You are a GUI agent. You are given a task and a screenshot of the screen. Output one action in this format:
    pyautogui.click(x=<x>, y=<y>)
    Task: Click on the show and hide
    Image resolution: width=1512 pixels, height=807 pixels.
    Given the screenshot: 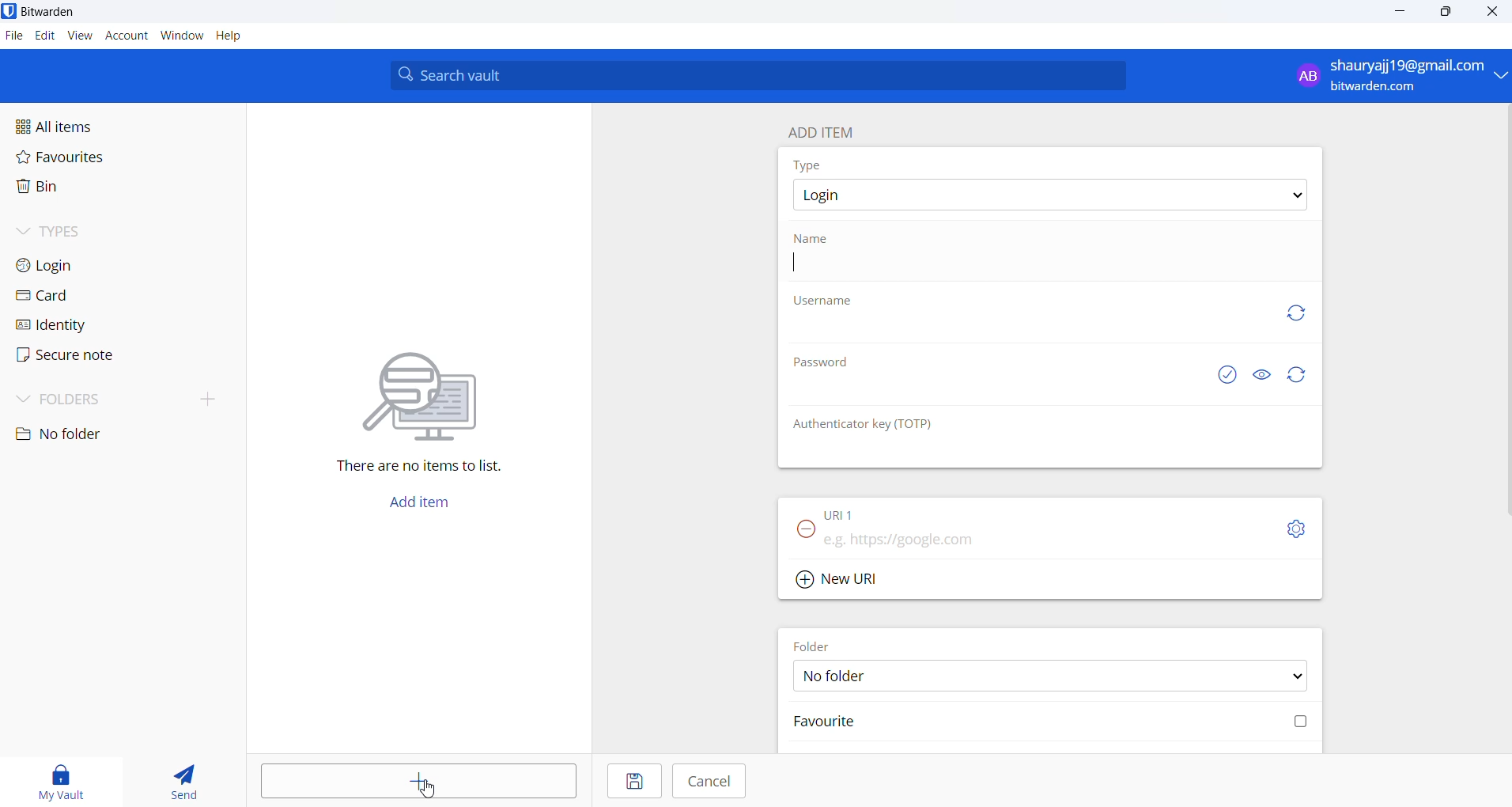 What is the action you would take?
    pyautogui.click(x=1262, y=374)
    